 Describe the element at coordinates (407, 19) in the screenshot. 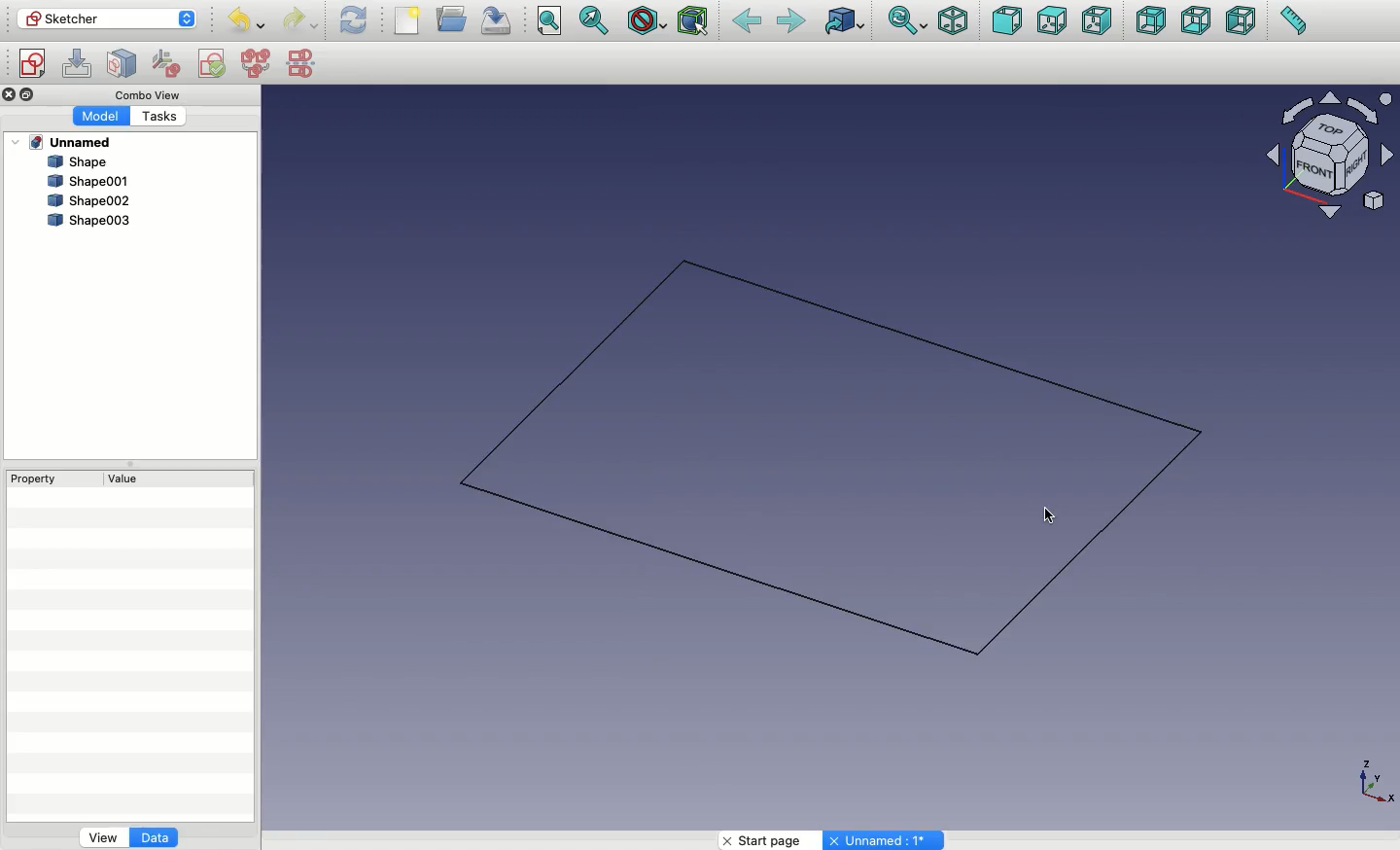

I see `New` at that location.